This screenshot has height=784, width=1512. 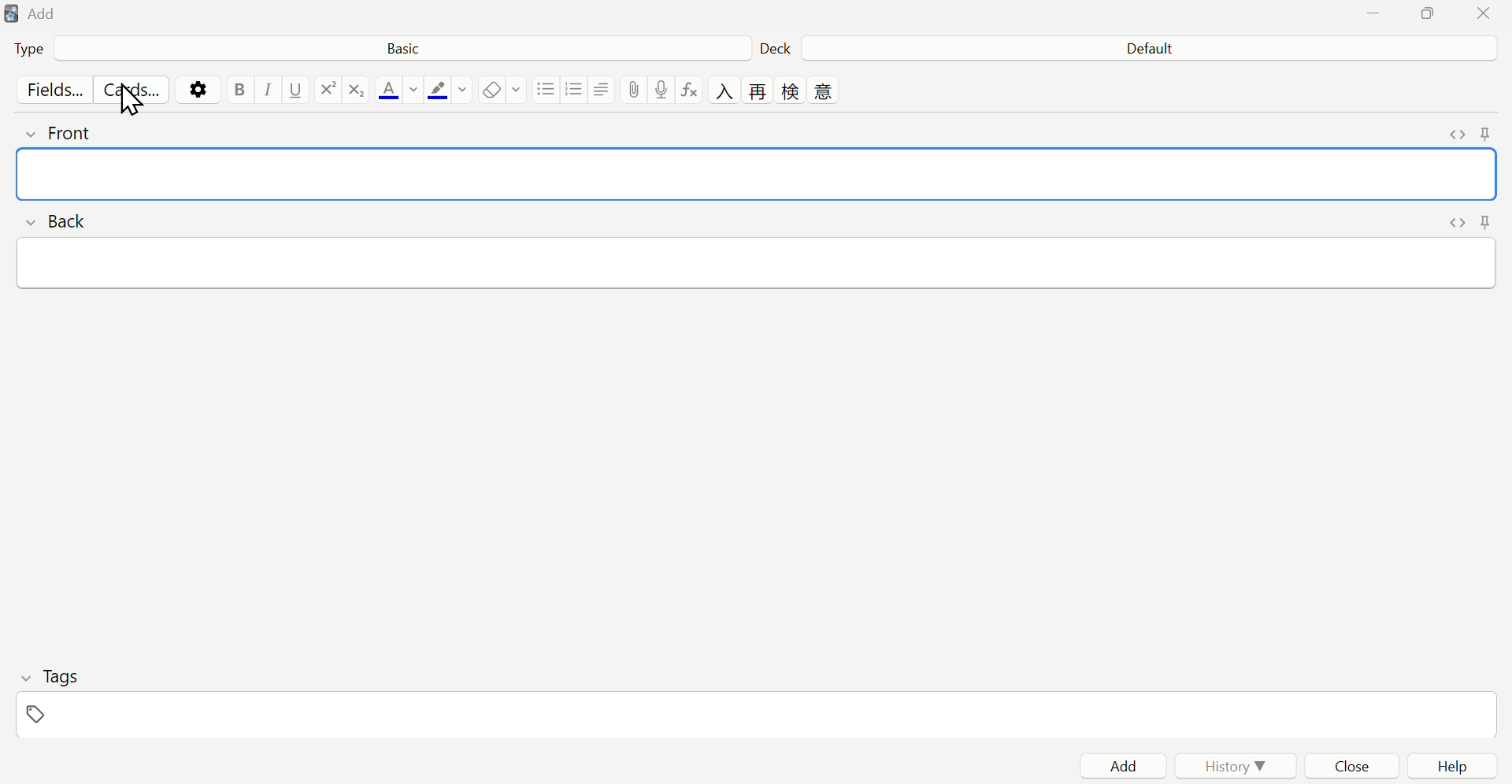 I want to click on Type, so click(x=52, y=50).